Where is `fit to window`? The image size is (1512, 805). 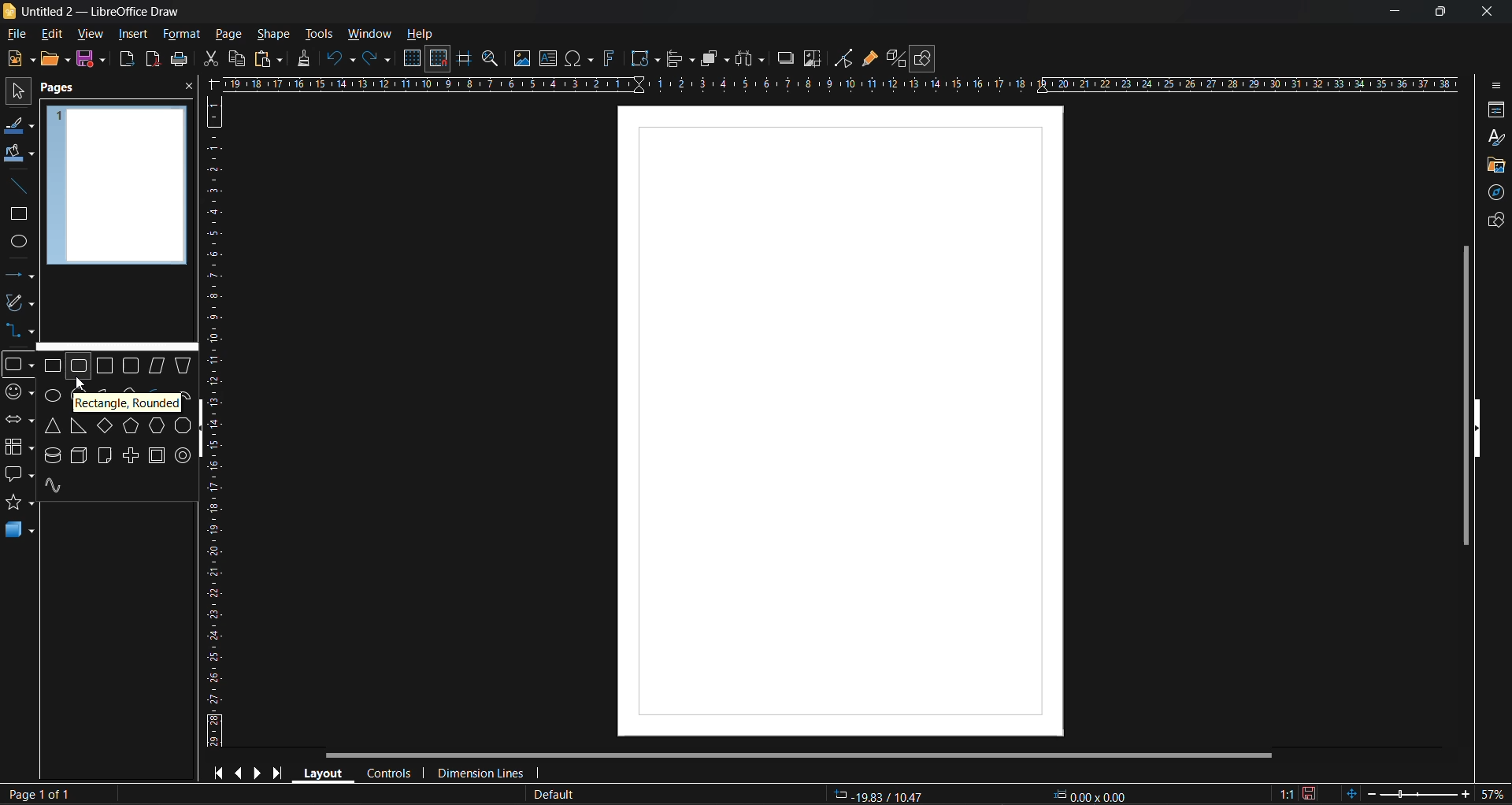
fit to window is located at coordinates (1351, 793).